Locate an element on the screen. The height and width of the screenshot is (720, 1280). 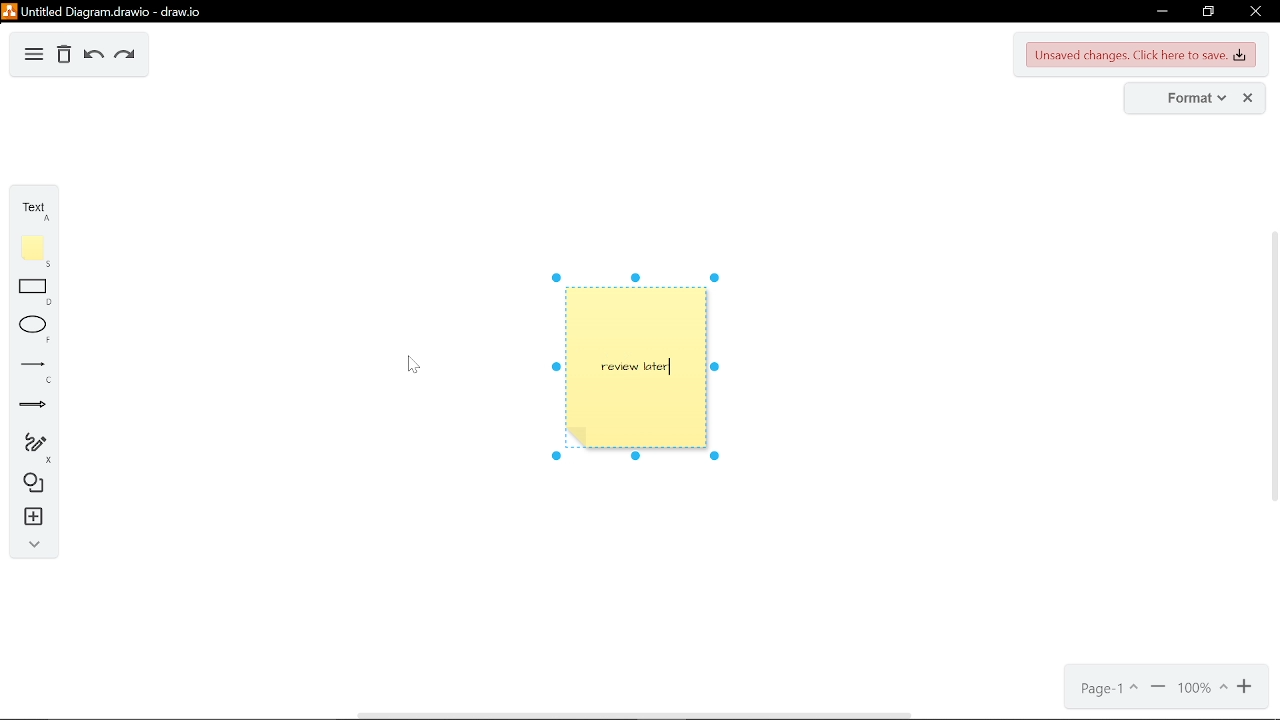
diagram is located at coordinates (33, 57).